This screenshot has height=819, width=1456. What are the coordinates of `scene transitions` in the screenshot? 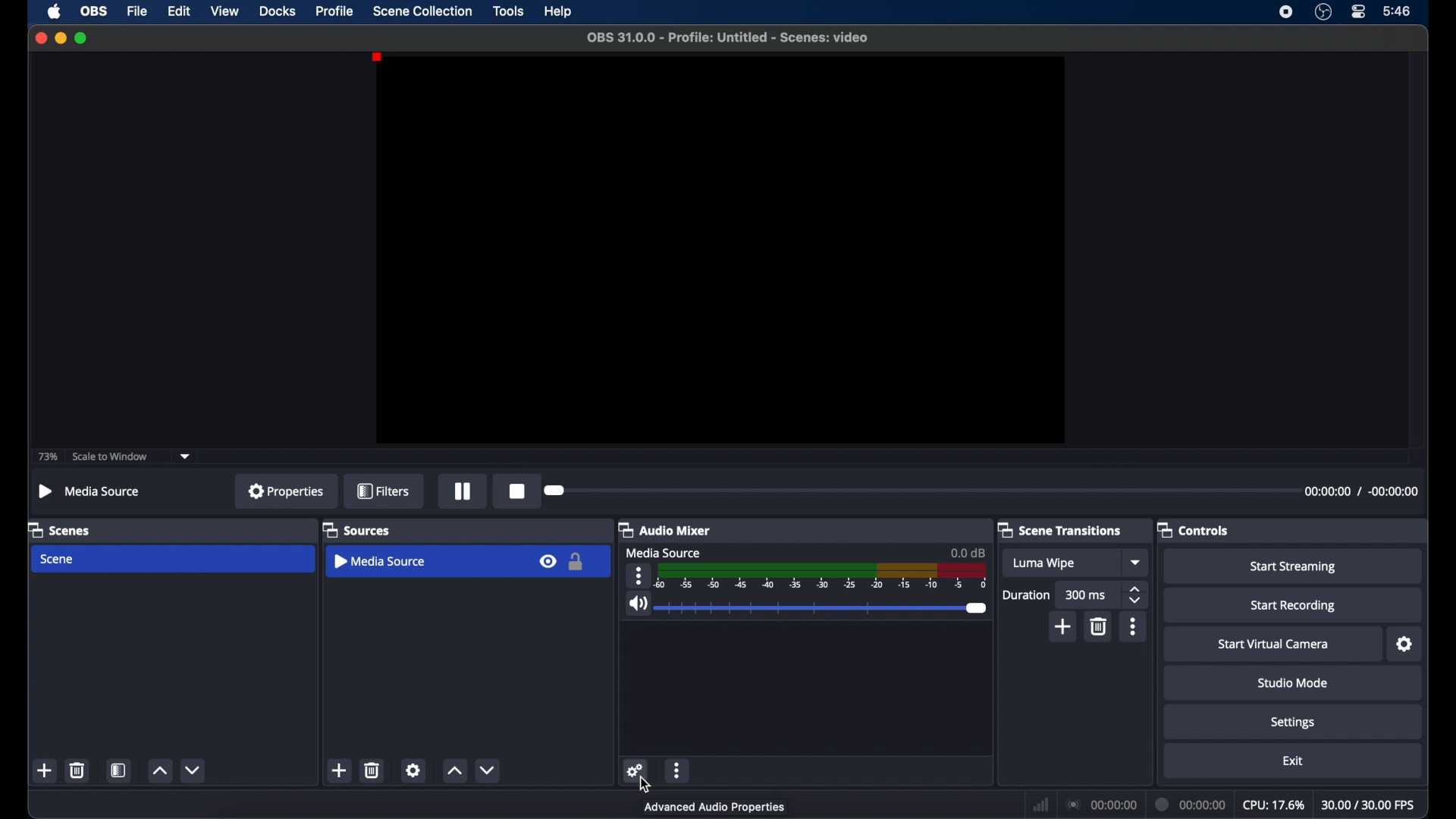 It's located at (1060, 530).